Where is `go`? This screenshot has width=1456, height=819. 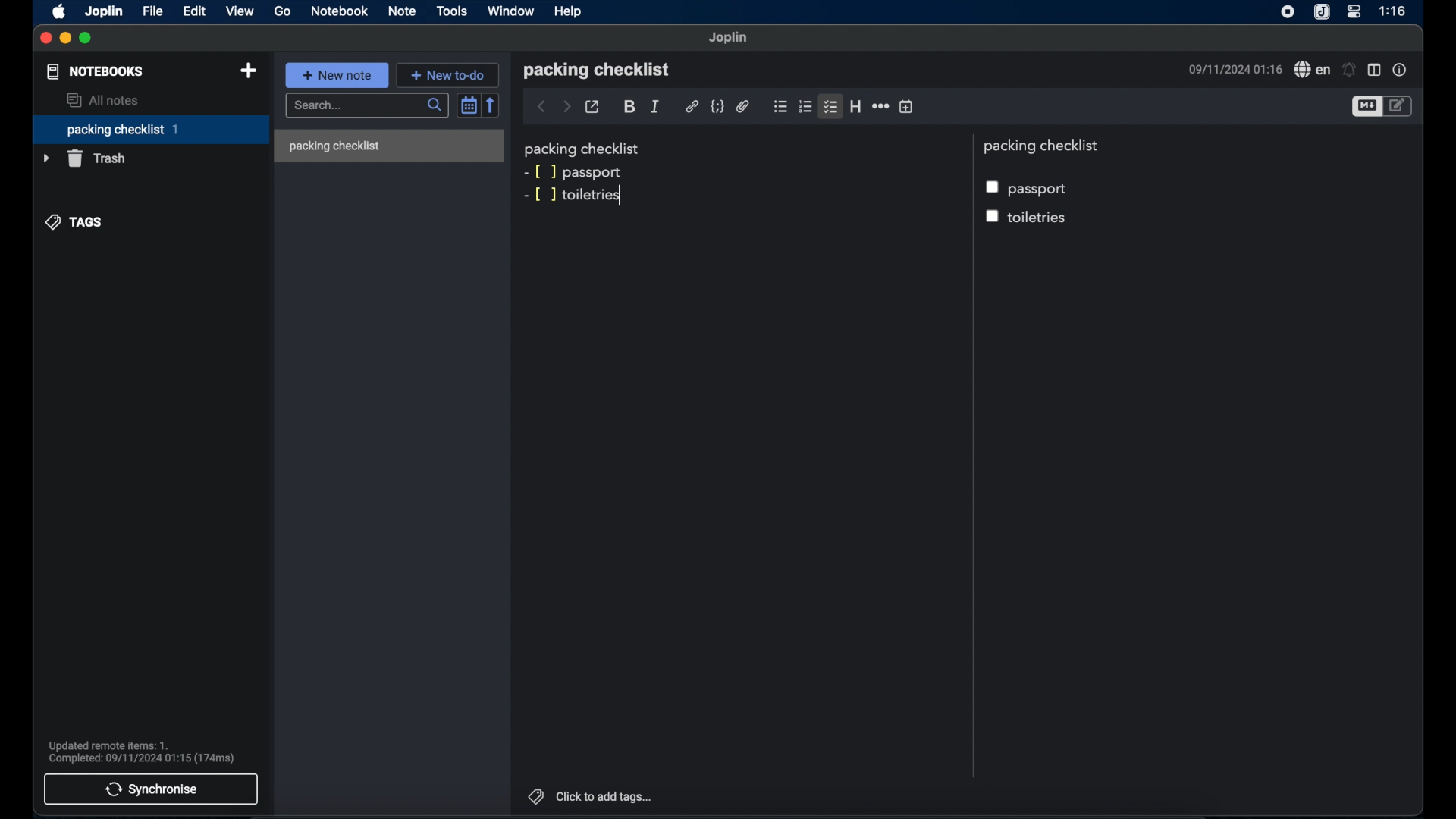
go is located at coordinates (282, 11).